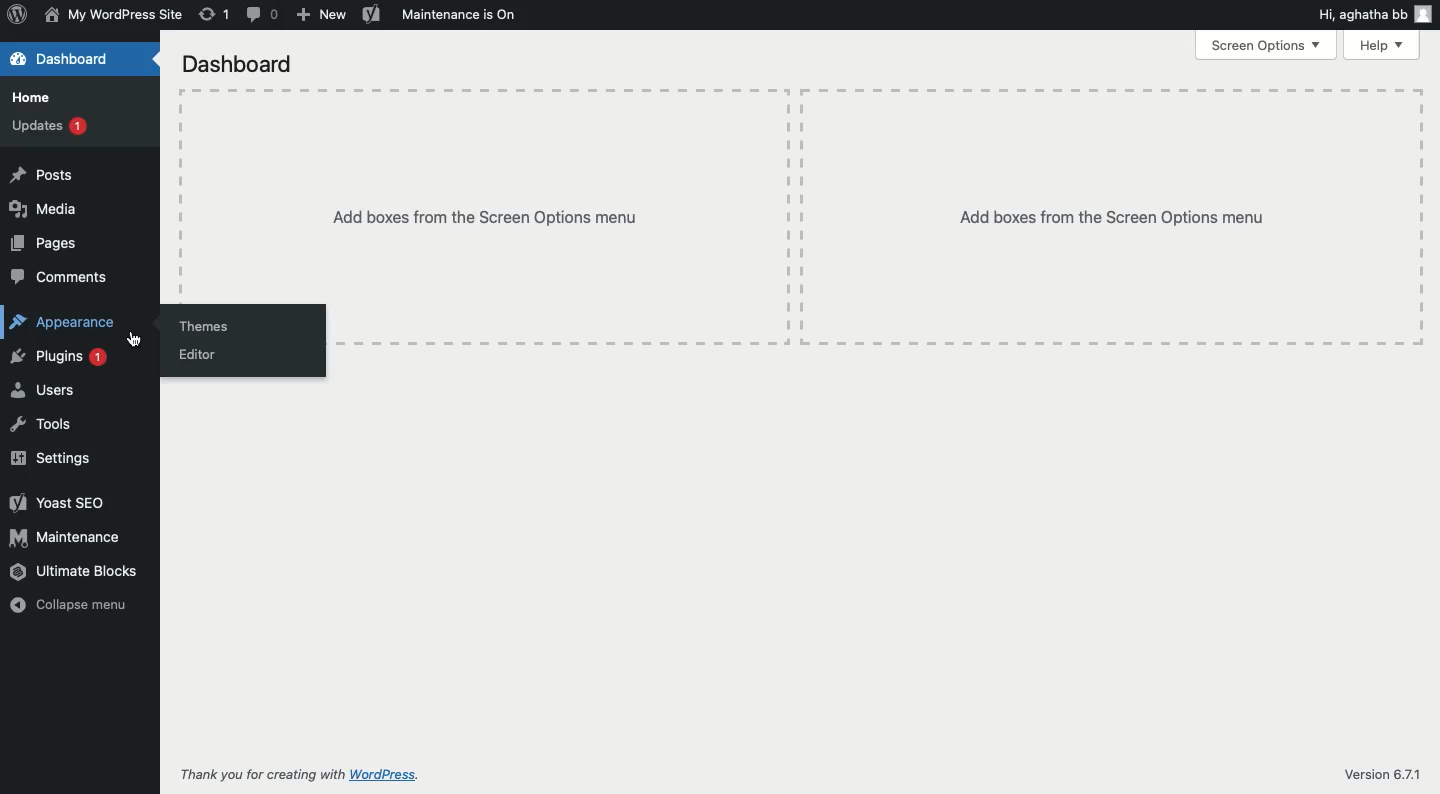 The height and width of the screenshot is (794, 1440). Describe the element at coordinates (57, 357) in the screenshot. I see `Plugins` at that location.